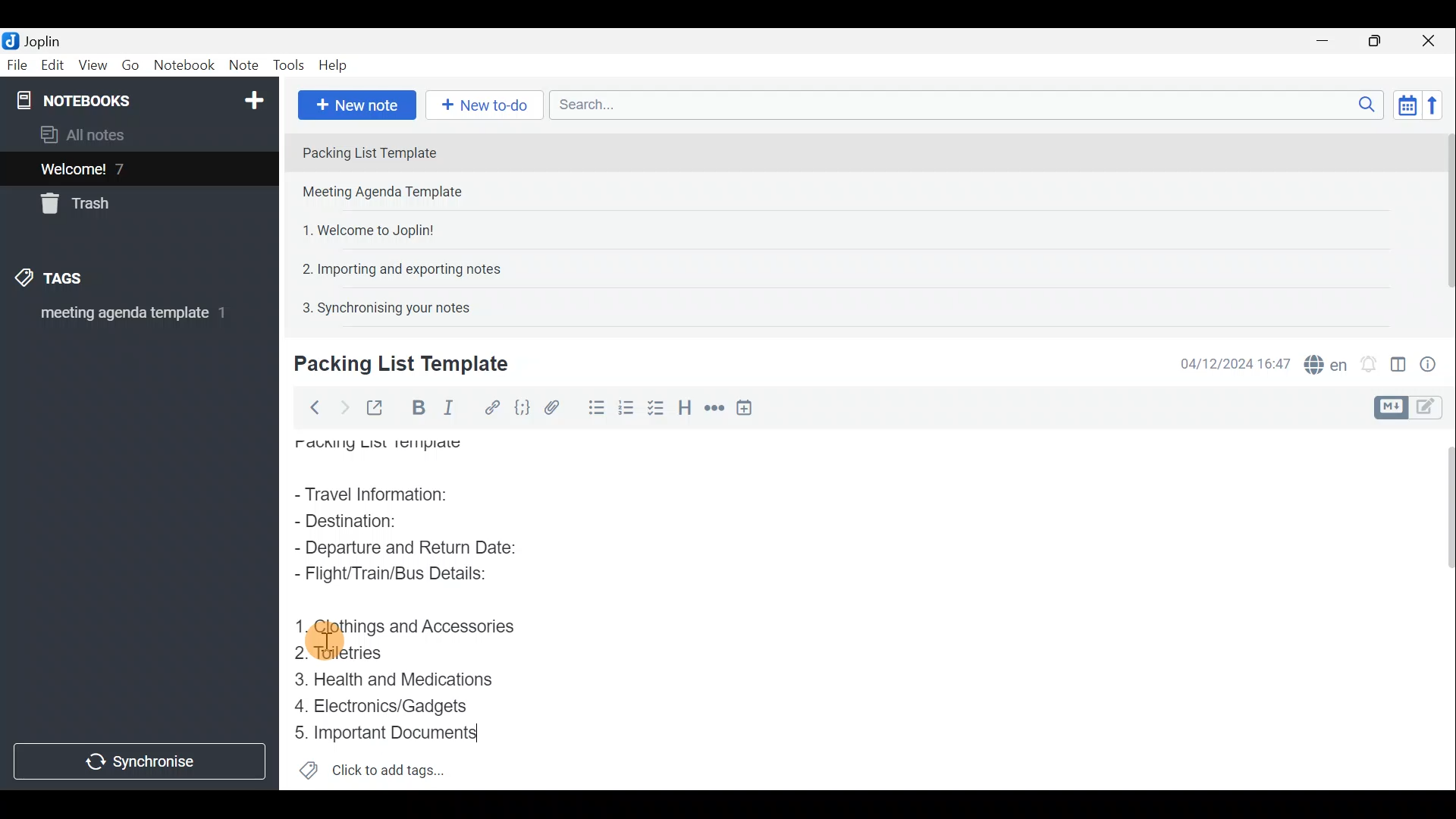  What do you see at coordinates (1235, 362) in the screenshot?
I see `Date & time` at bounding box center [1235, 362].